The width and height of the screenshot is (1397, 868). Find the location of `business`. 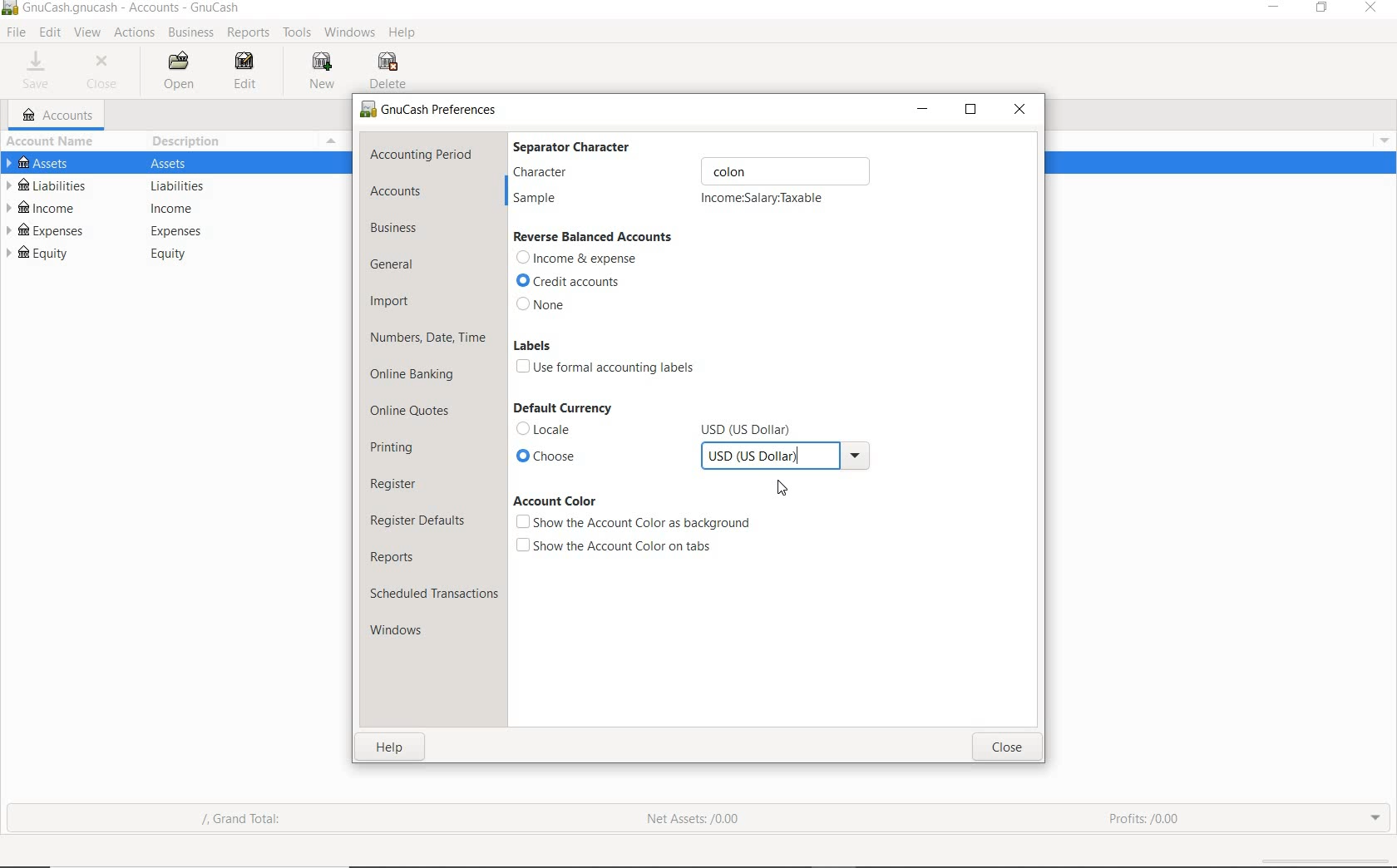

business is located at coordinates (398, 229).